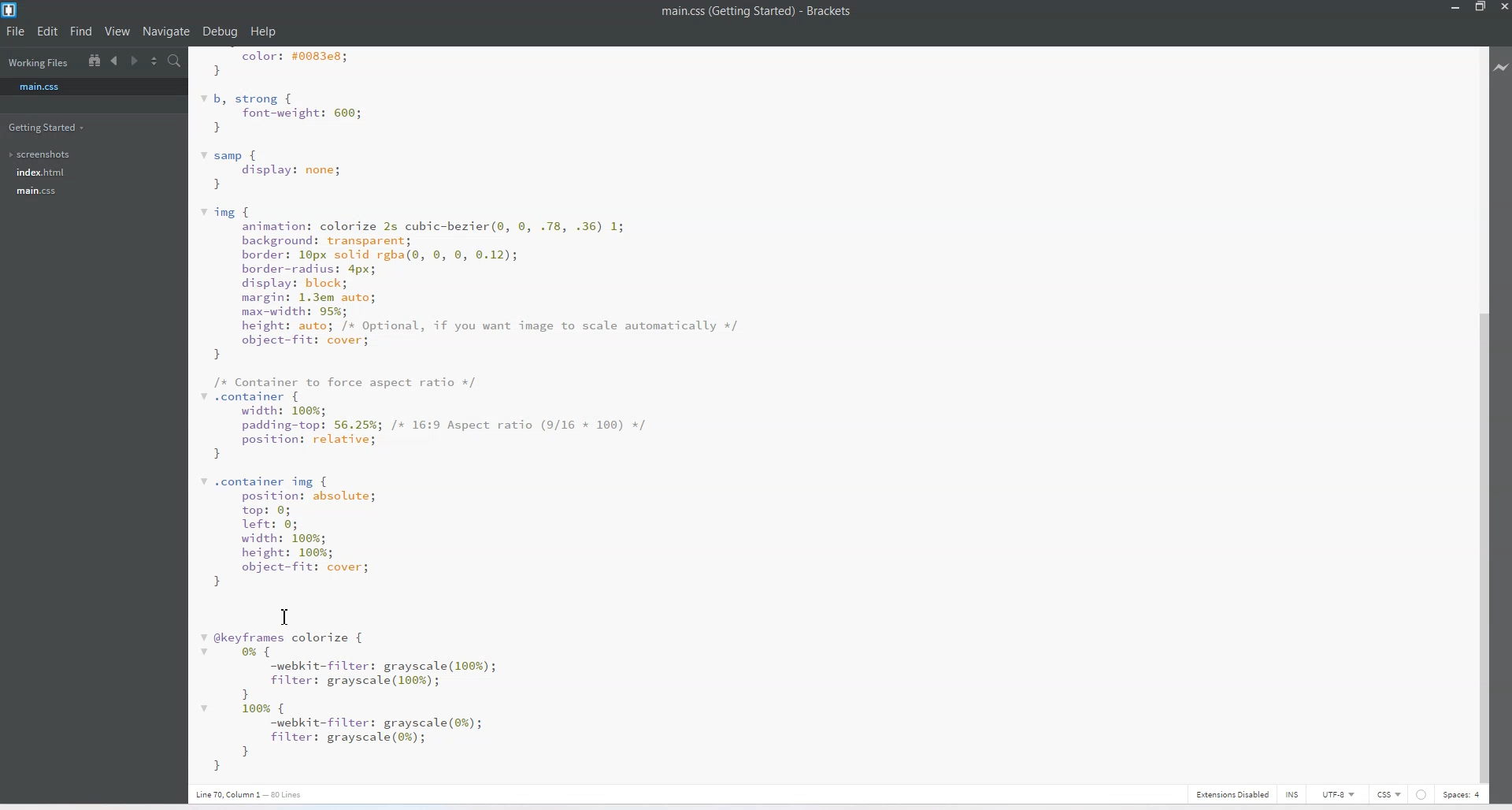 This screenshot has height=810, width=1512. Describe the element at coordinates (1284, 793) in the screenshot. I see `INS` at that location.